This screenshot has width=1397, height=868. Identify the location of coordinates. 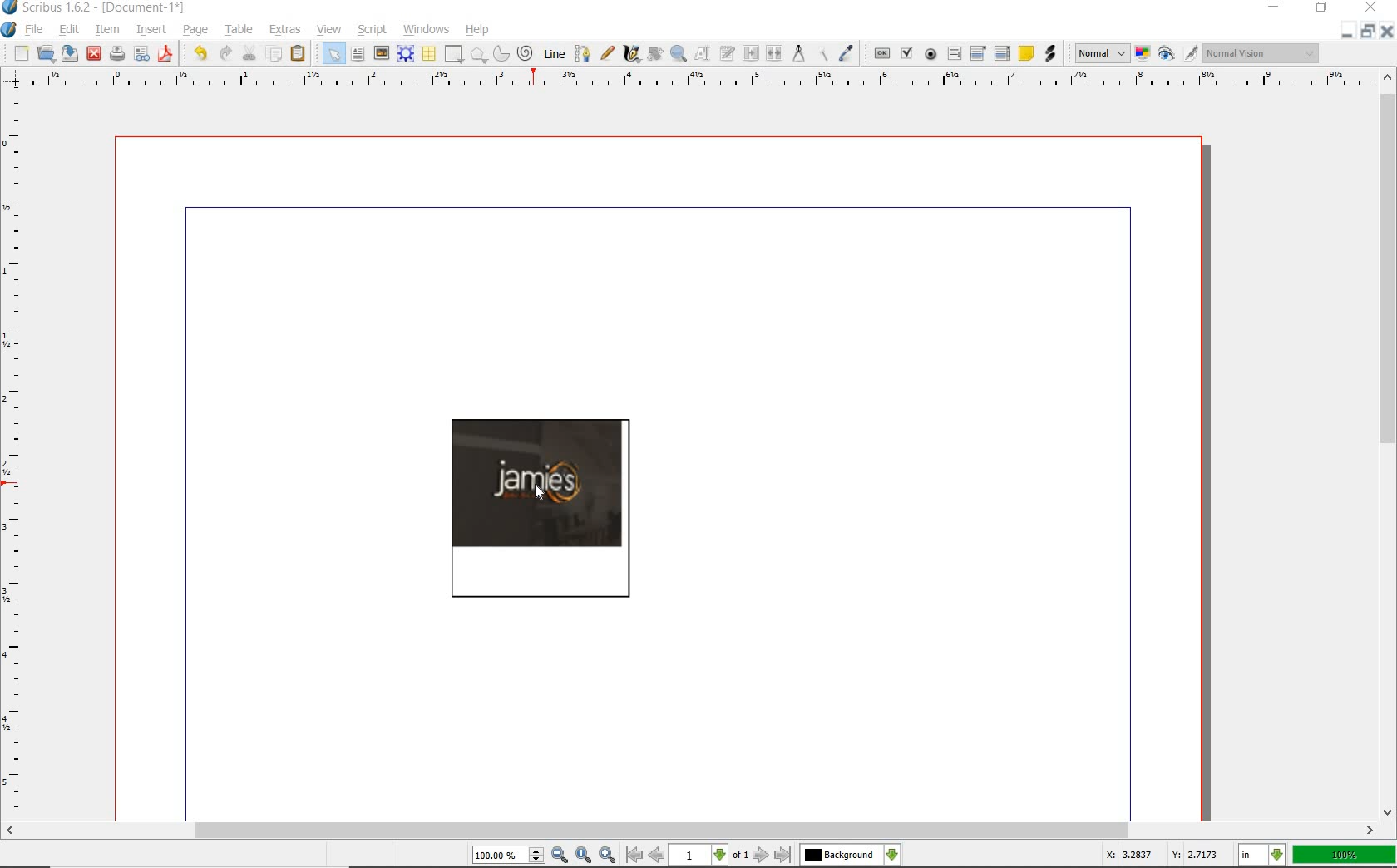
(1160, 857).